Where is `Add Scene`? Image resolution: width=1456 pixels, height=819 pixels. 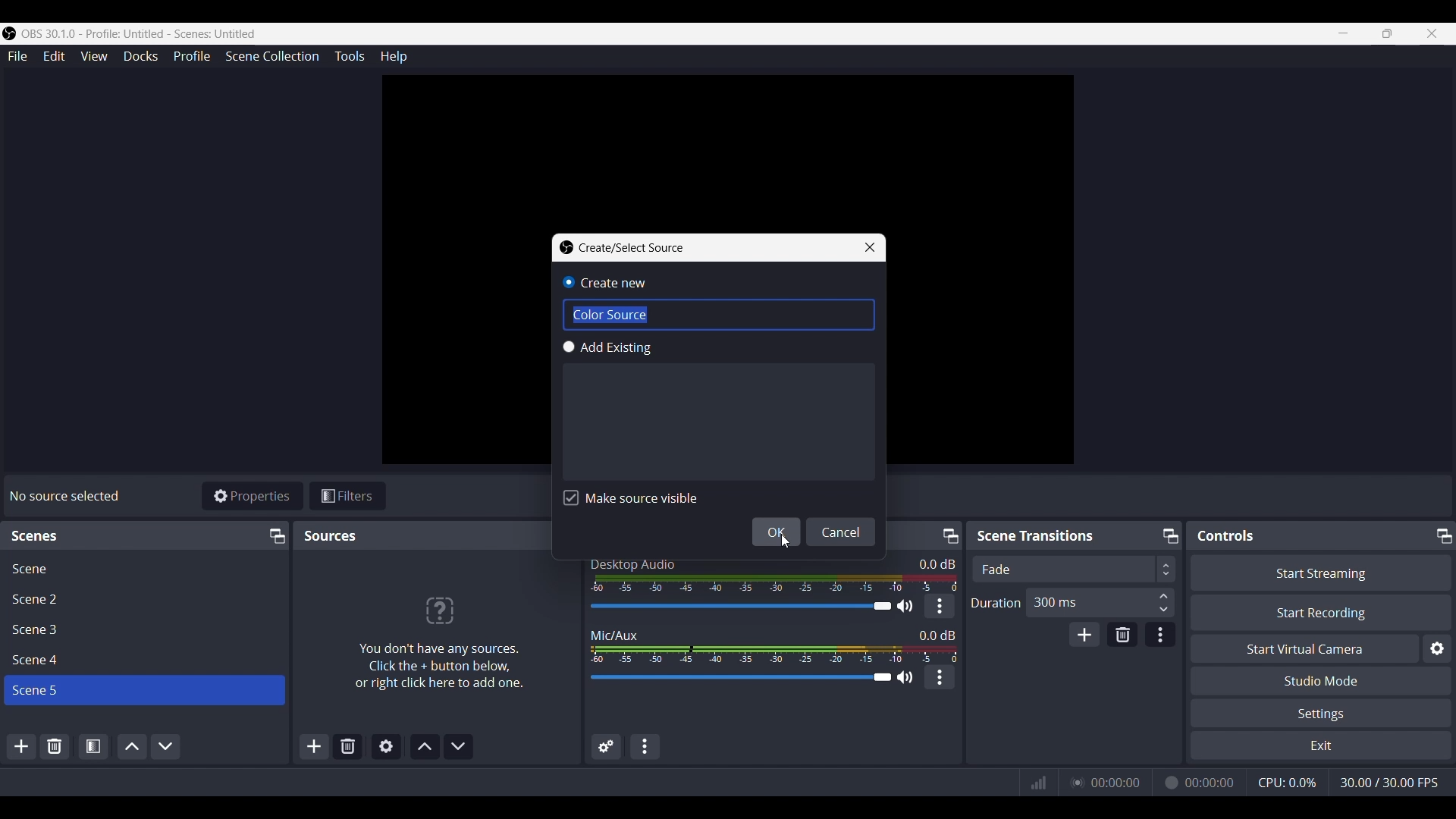 Add Scene is located at coordinates (21, 746).